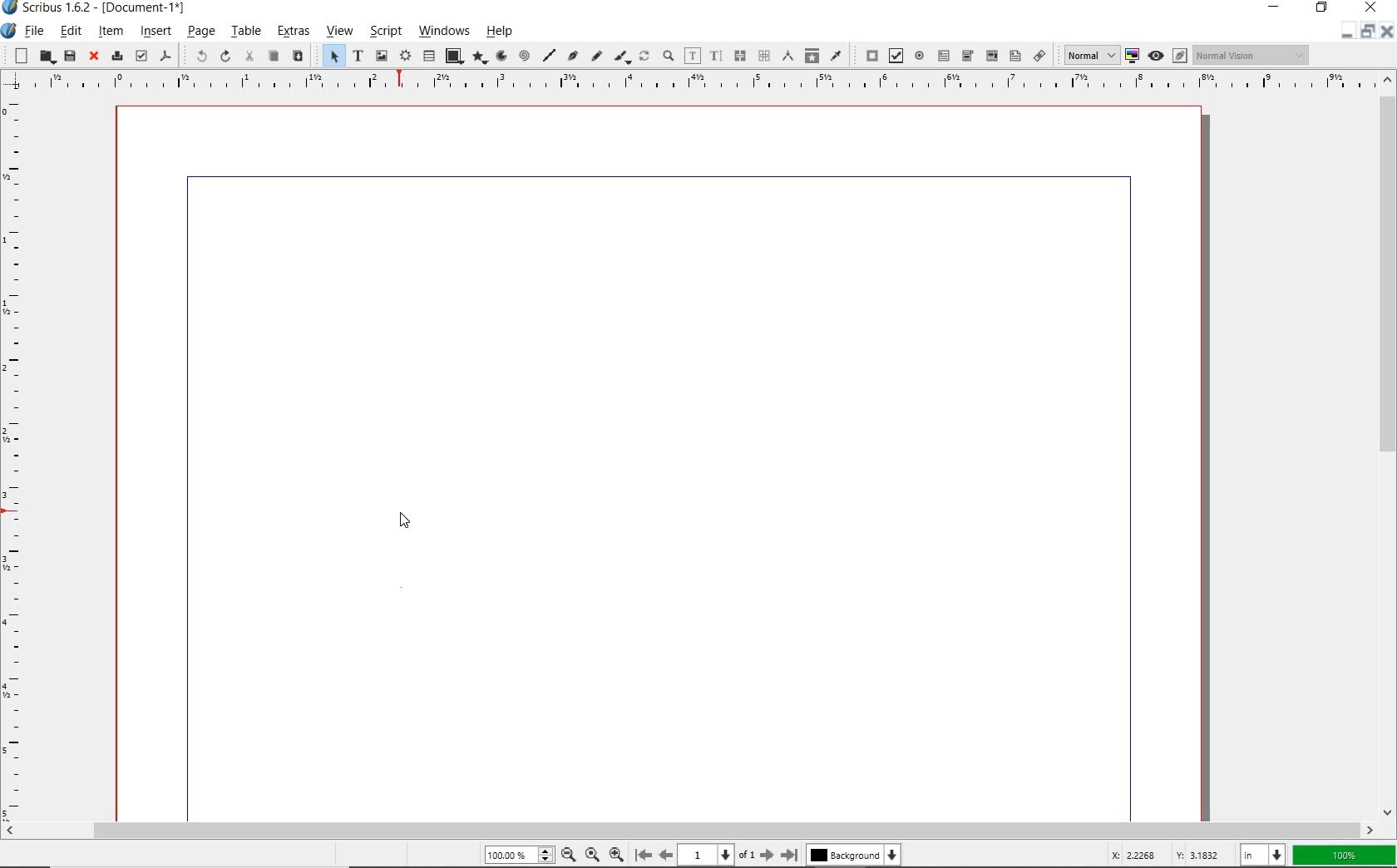  Describe the element at coordinates (71, 31) in the screenshot. I see `edit` at that location.